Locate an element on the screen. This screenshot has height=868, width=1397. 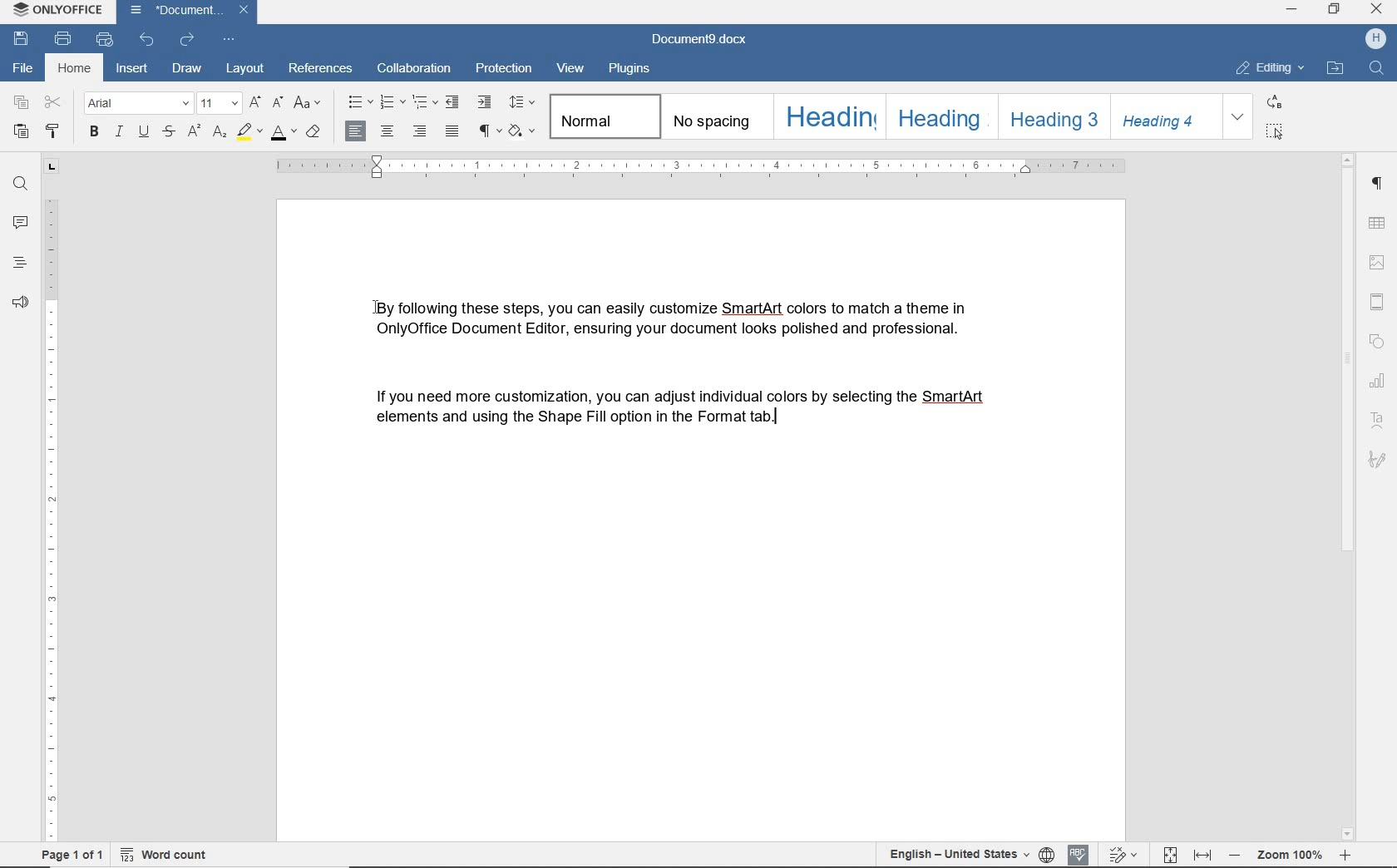
track chnges is located at coordinates (1127, 852).